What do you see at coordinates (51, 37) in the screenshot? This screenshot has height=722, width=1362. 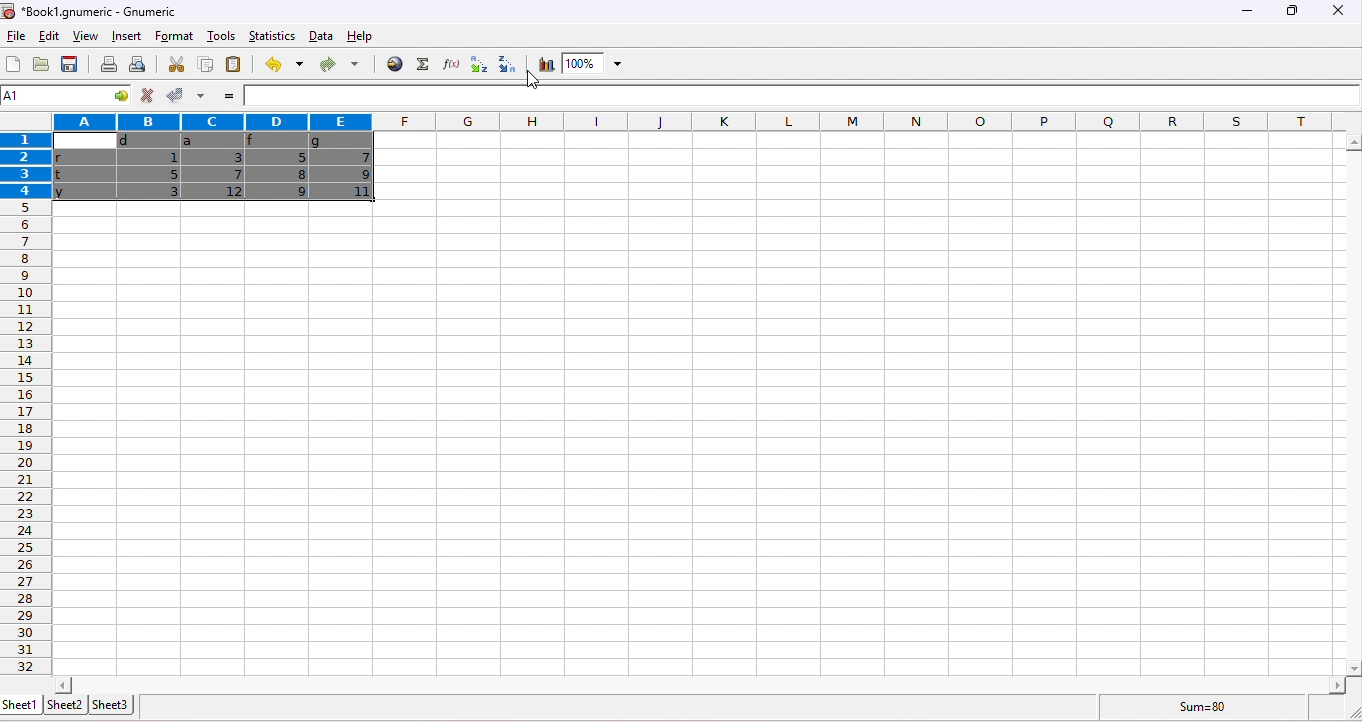 I see `edit` at bounding box center [51, 37].